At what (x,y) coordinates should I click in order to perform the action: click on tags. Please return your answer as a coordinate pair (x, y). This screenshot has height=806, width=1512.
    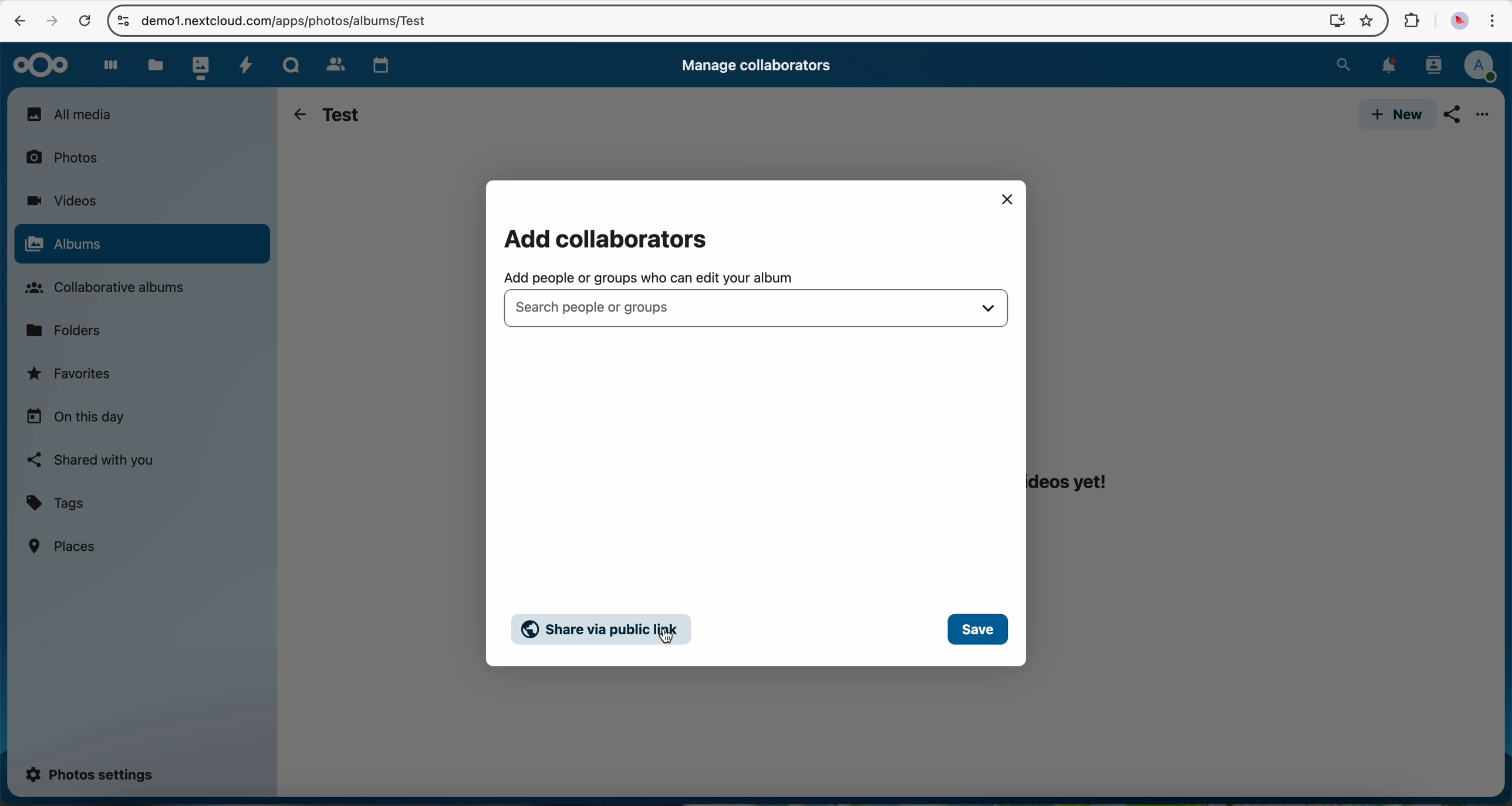
    Looking at the image, I should click on (56, 504).